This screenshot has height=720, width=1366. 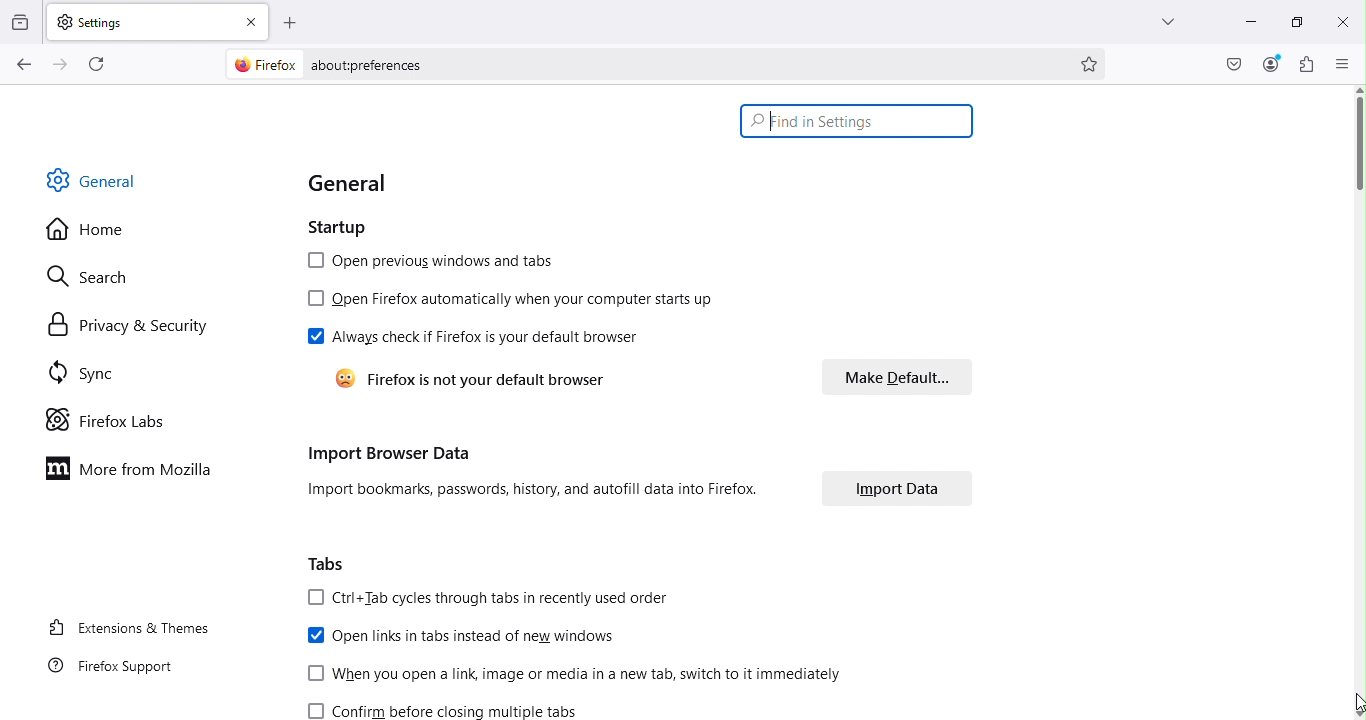 I want to click on Ctrl+tab cycles through tabs in recently used order, so click(x=495, y=600).